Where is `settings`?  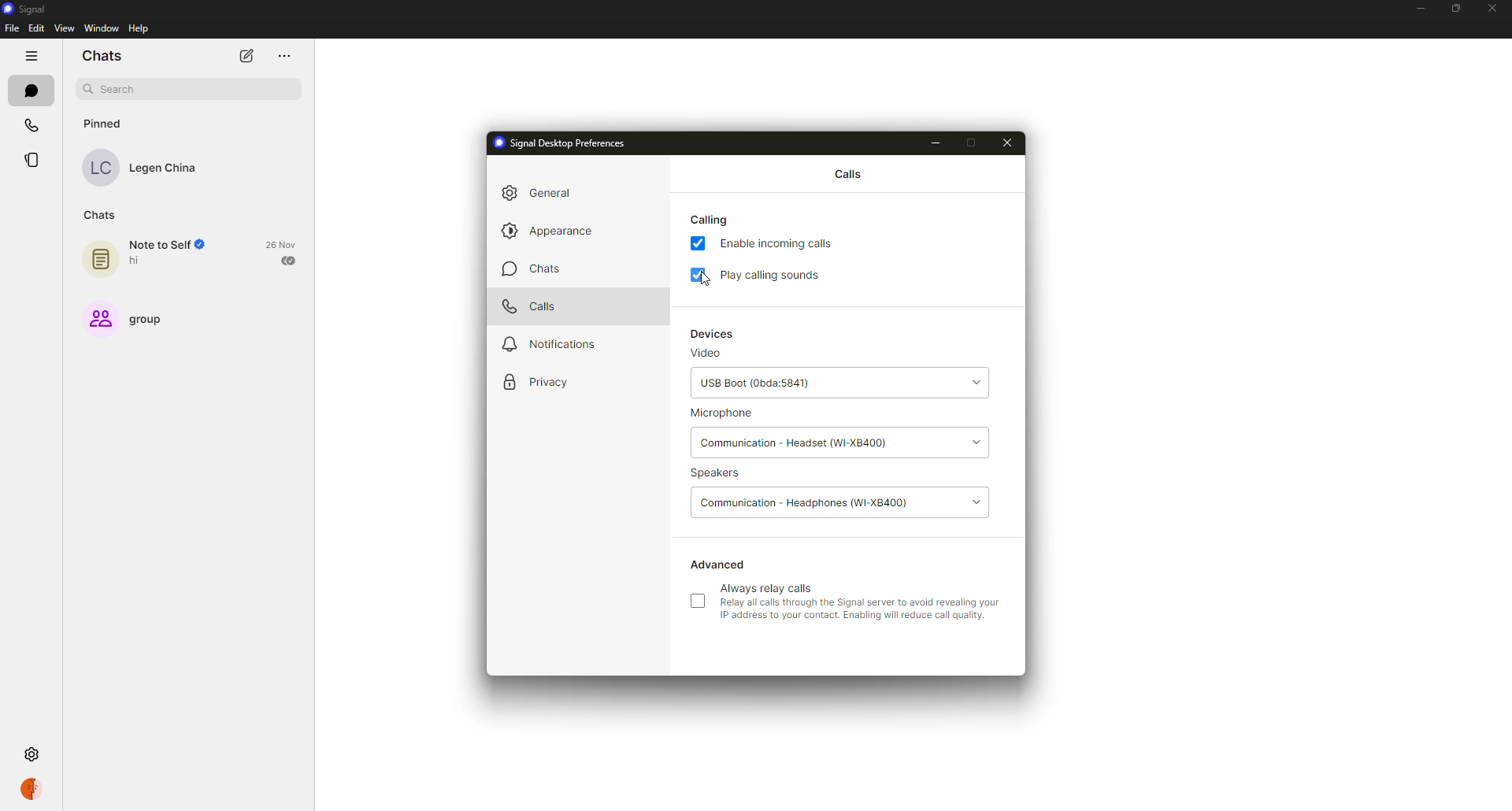 settings is located at coordinates (31, 754).